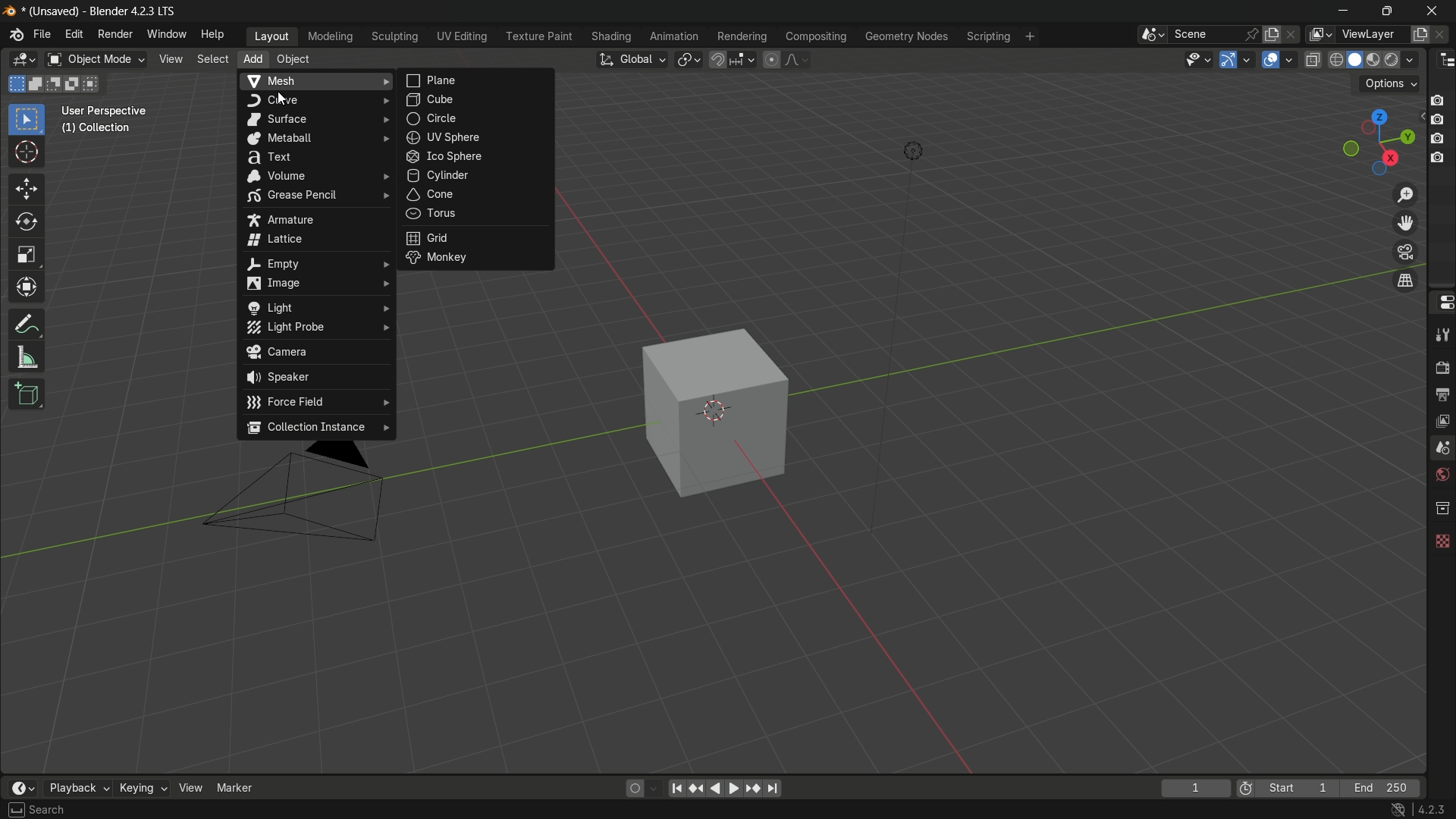 This screenshot has height=819, width=1456. What do you see at coordinates (475, 99) in the screenshot?
I see `cube` at bounding box center [475, 99].